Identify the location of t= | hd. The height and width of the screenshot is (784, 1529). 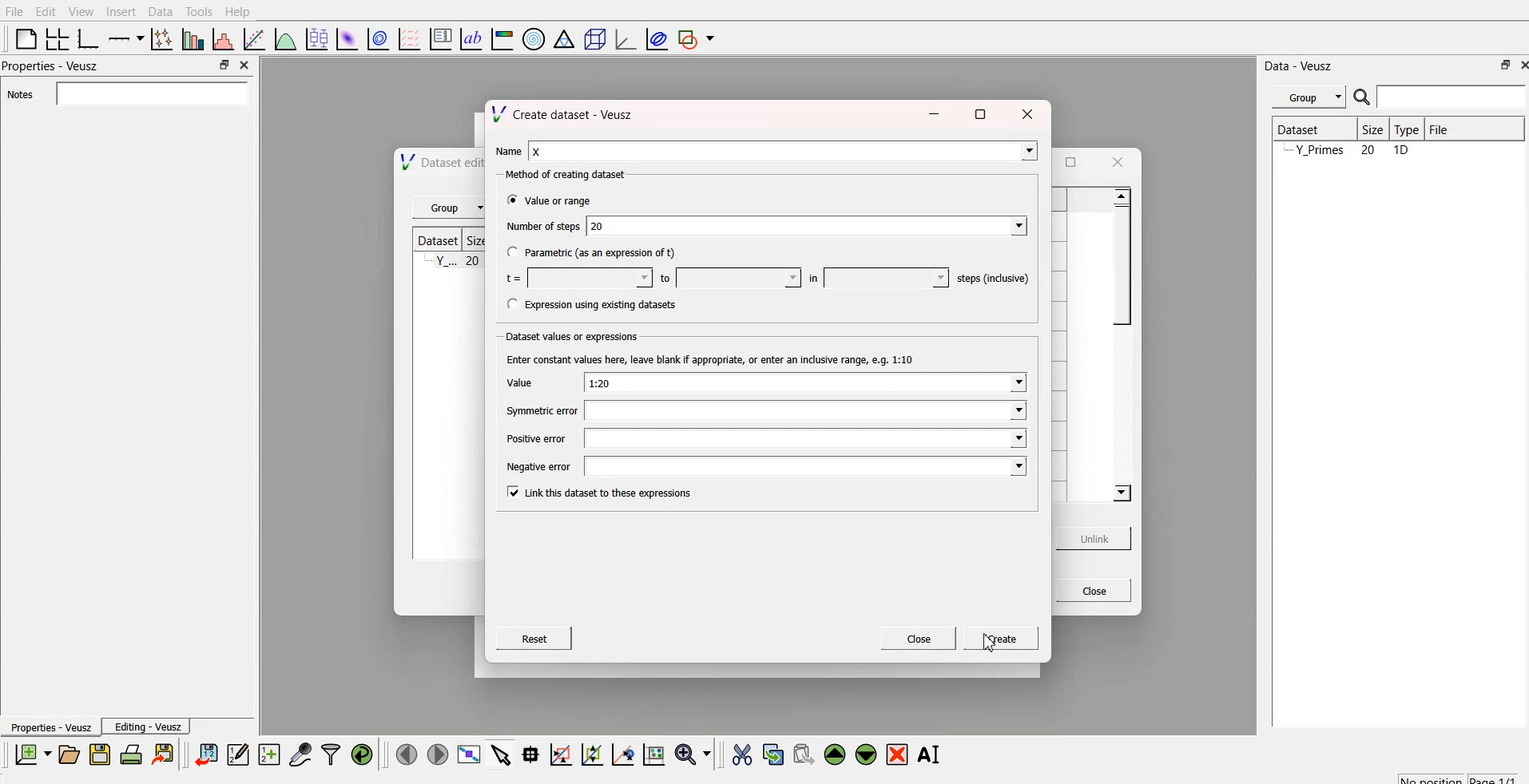
(574, 280).